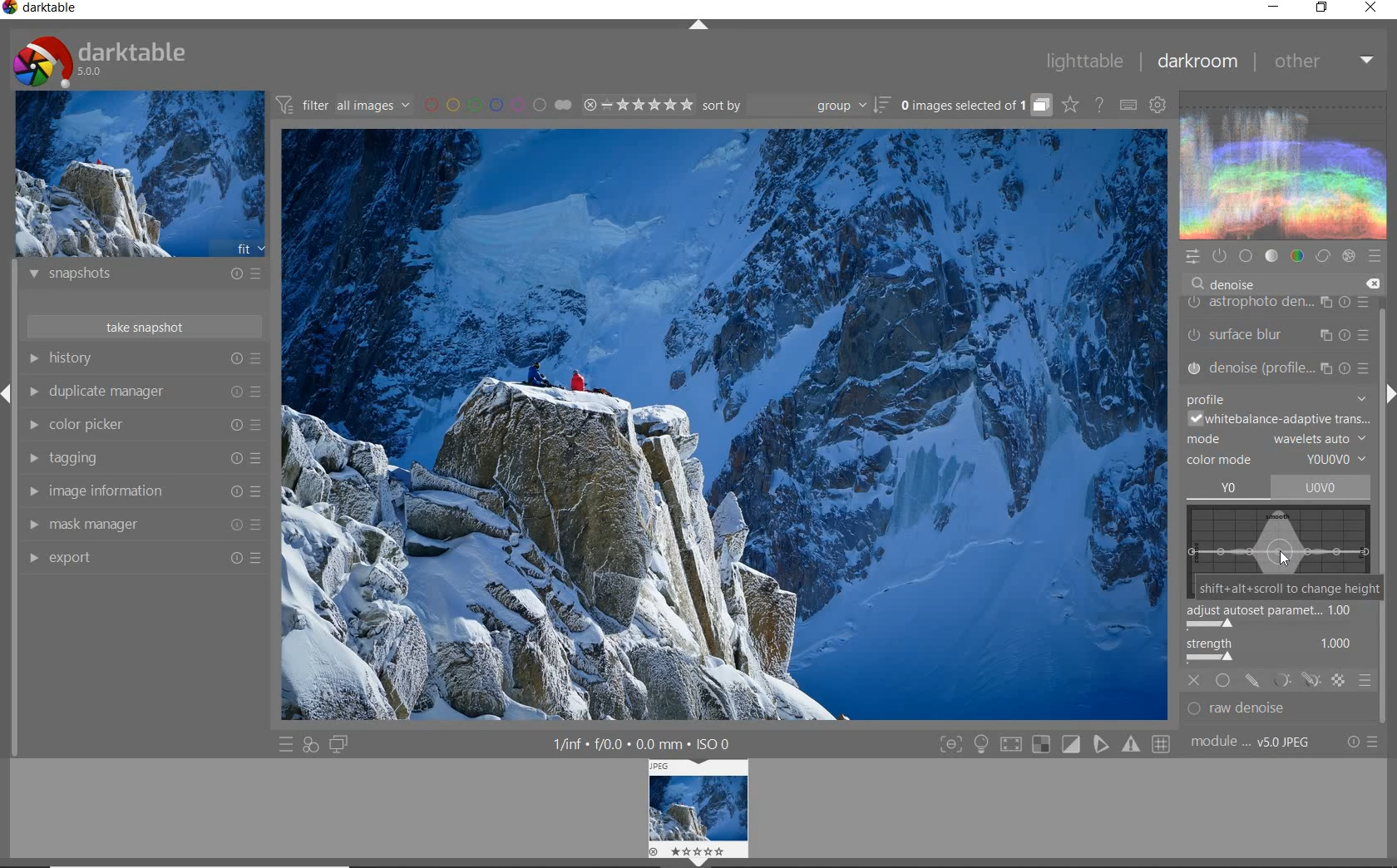 The image size is (1397, 868). What do you see at coordinates (1286, 558) in the screenshot?
I see `CURSOR` at bounding box center [1286, 558].